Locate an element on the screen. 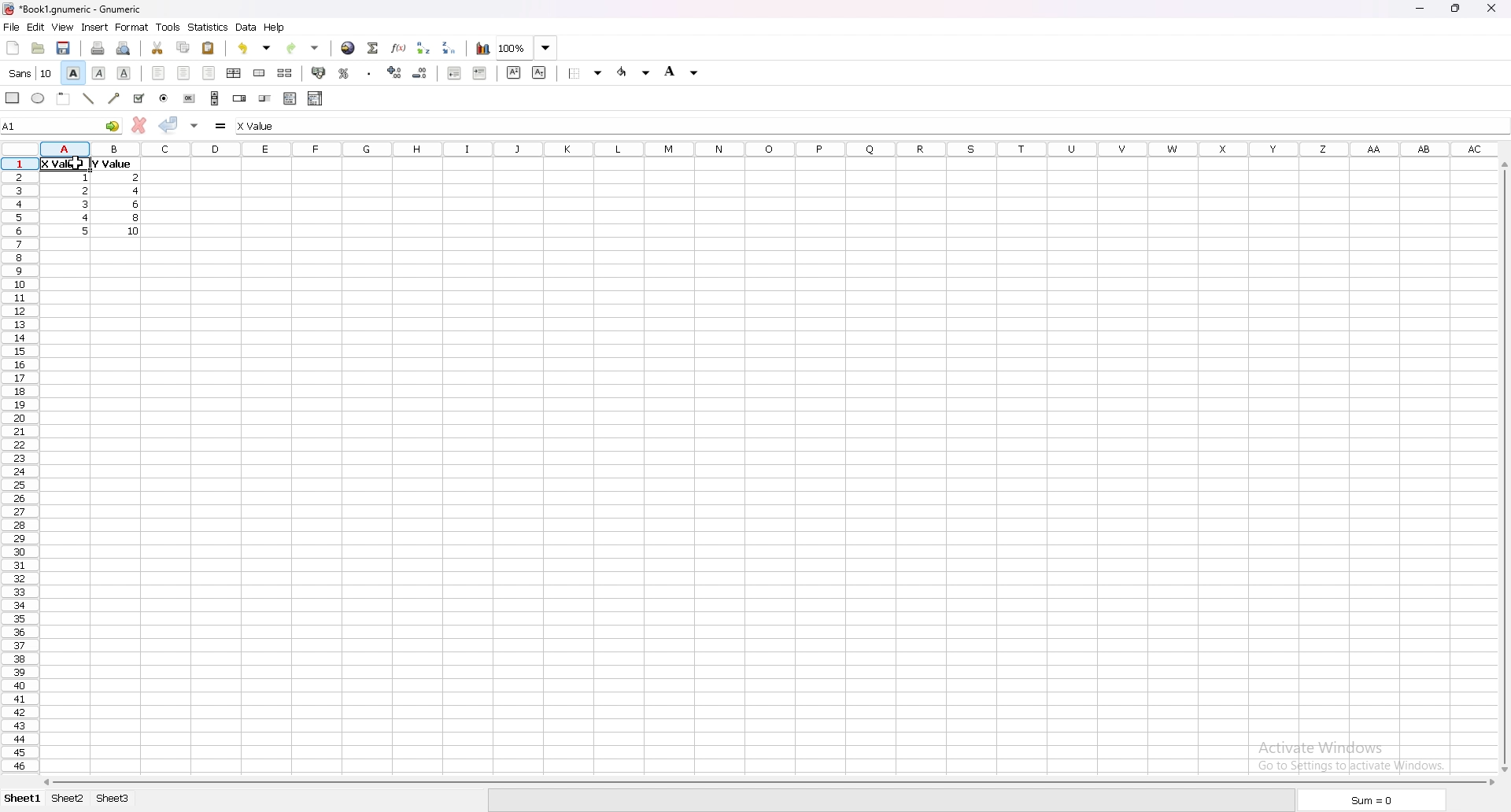 The width and height of the screenshot is (1511, 812). function is located at coordinates (401, 47).